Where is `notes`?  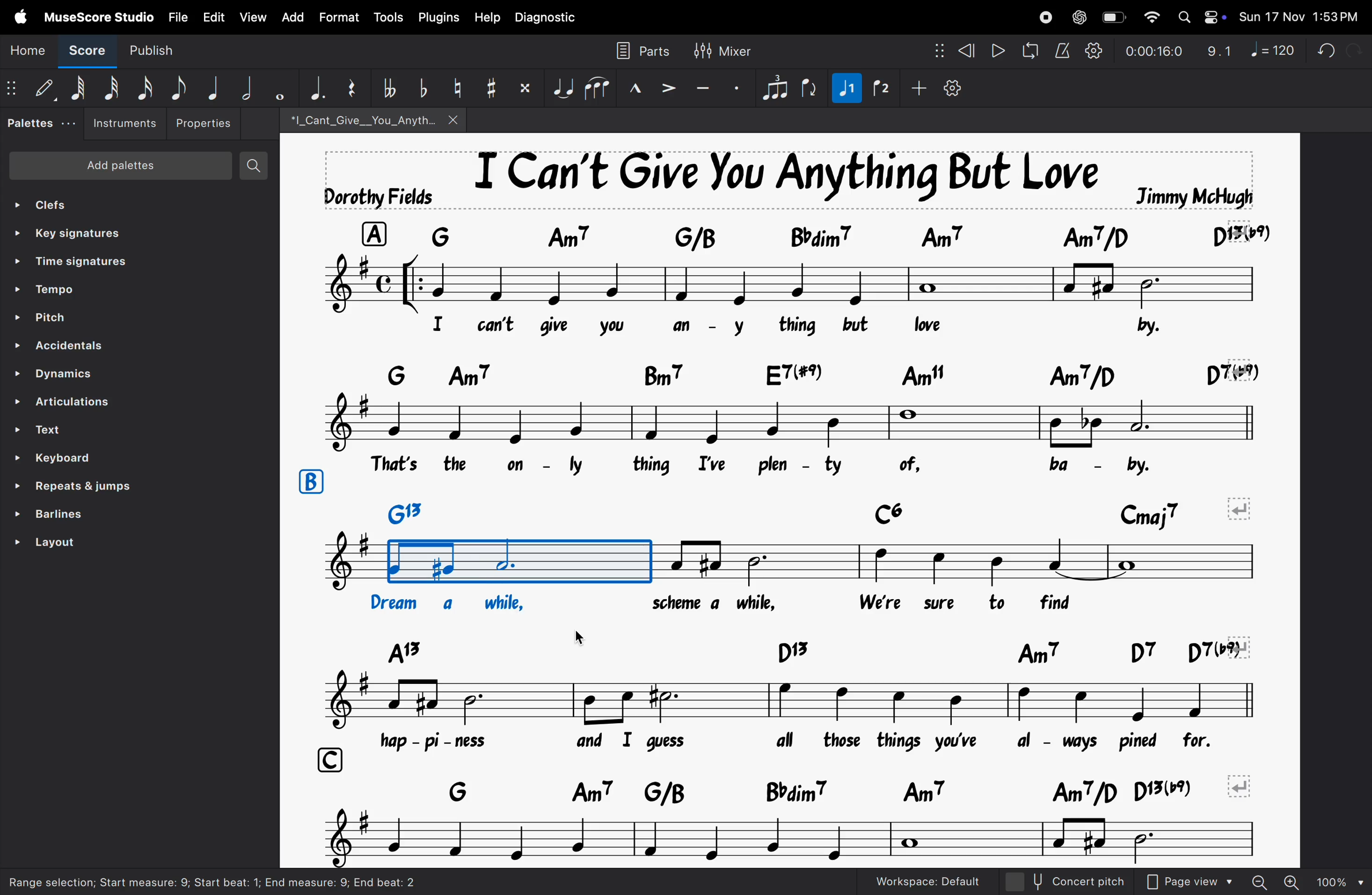 notes is located at coordinates (783, 701).